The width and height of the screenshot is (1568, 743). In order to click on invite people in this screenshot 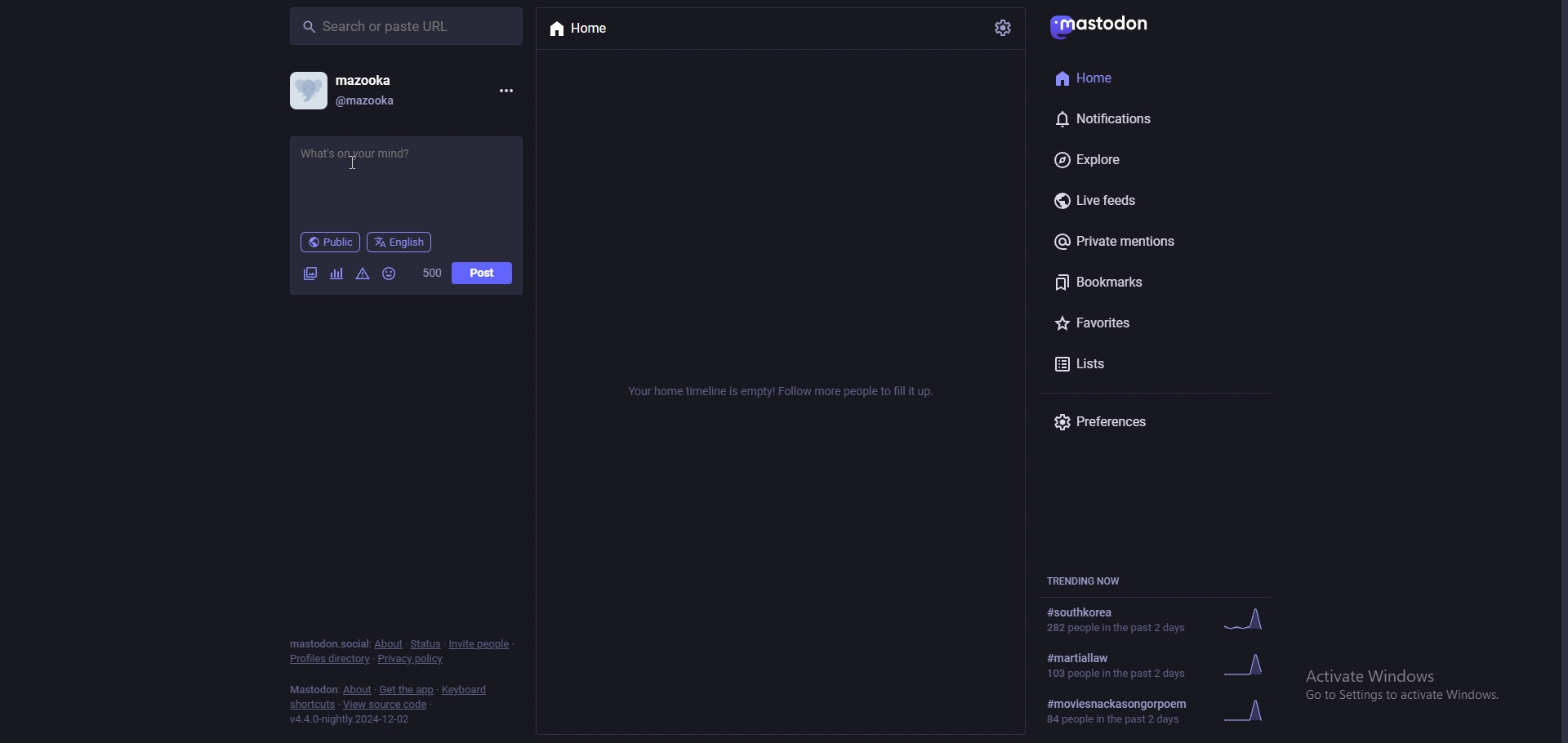, I will do `click(481, 644)`.